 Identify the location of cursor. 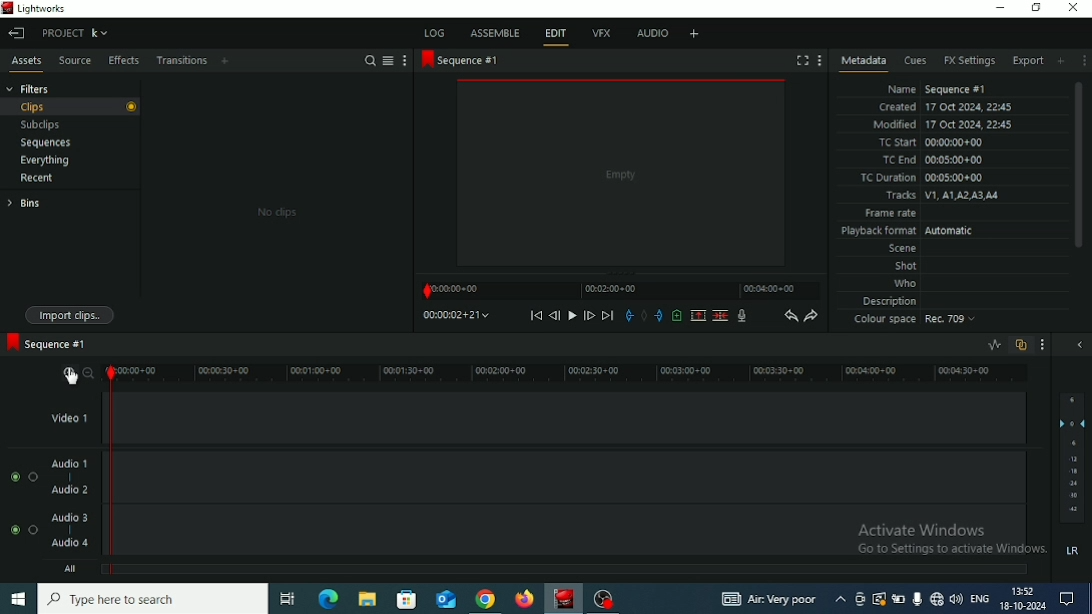
(70, 380).